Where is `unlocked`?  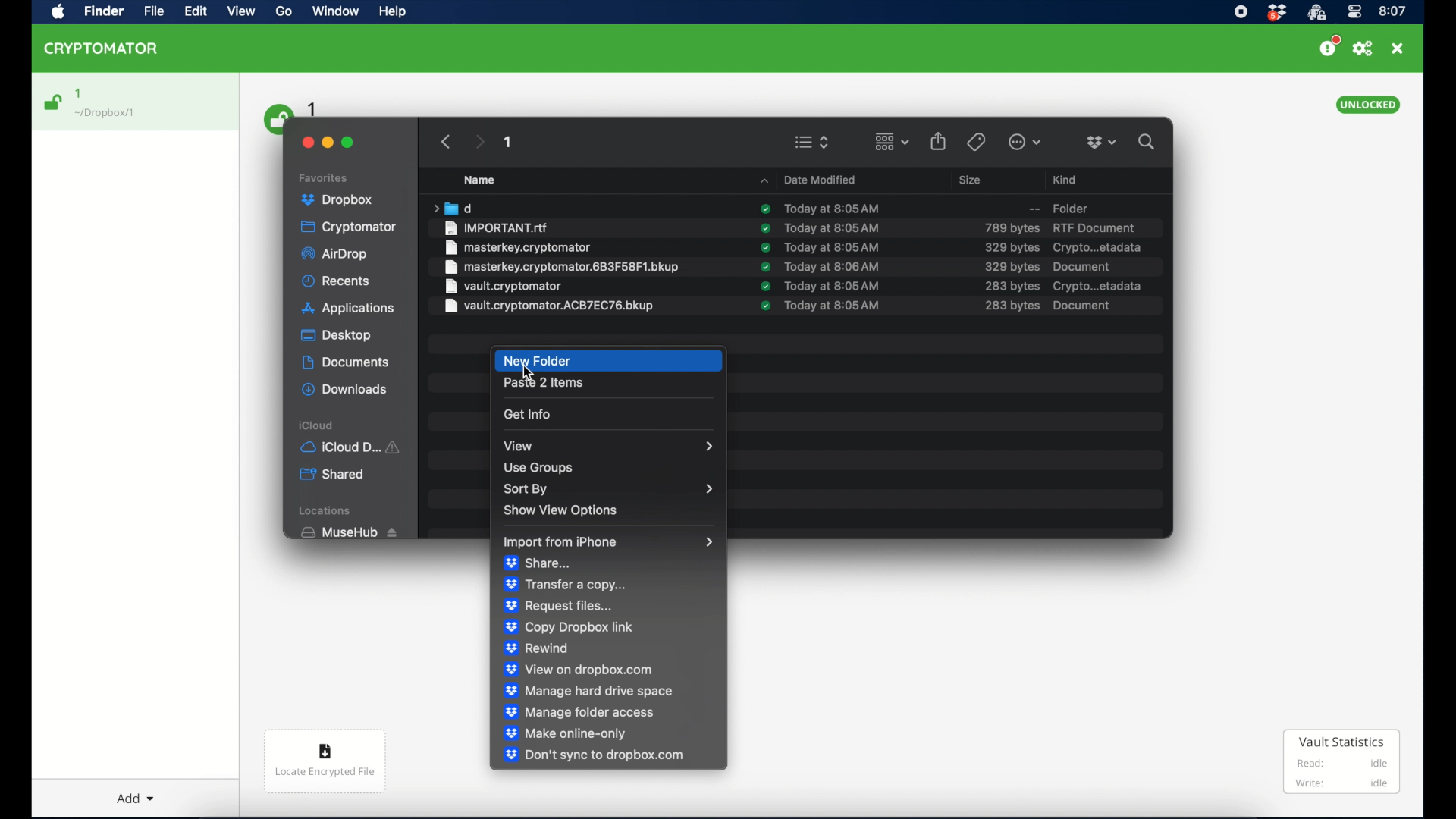
unlocked is located at coordinates (1369, 105).